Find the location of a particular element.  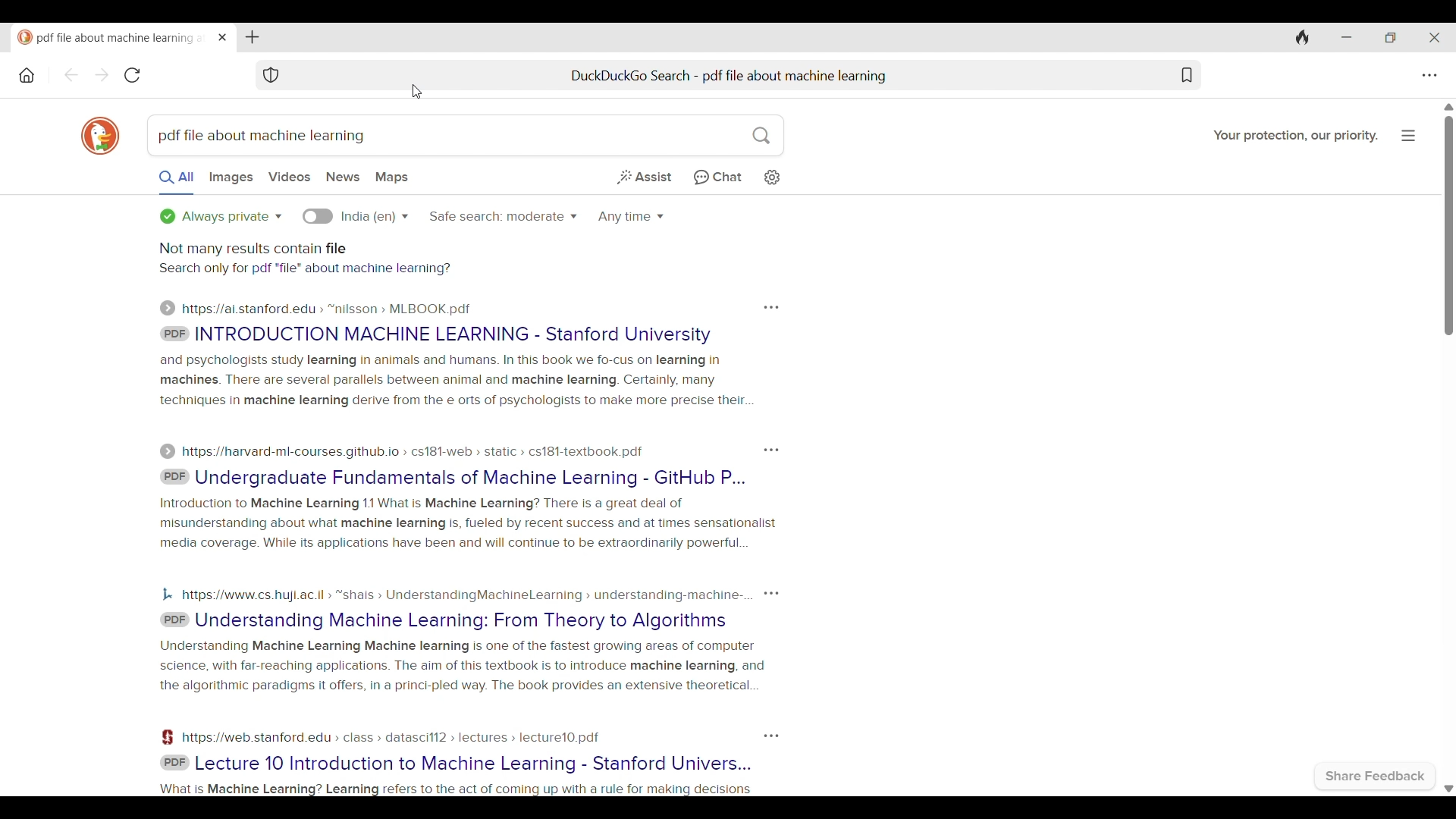

Your protection, our priority. is located at coordinates (1296, 136).